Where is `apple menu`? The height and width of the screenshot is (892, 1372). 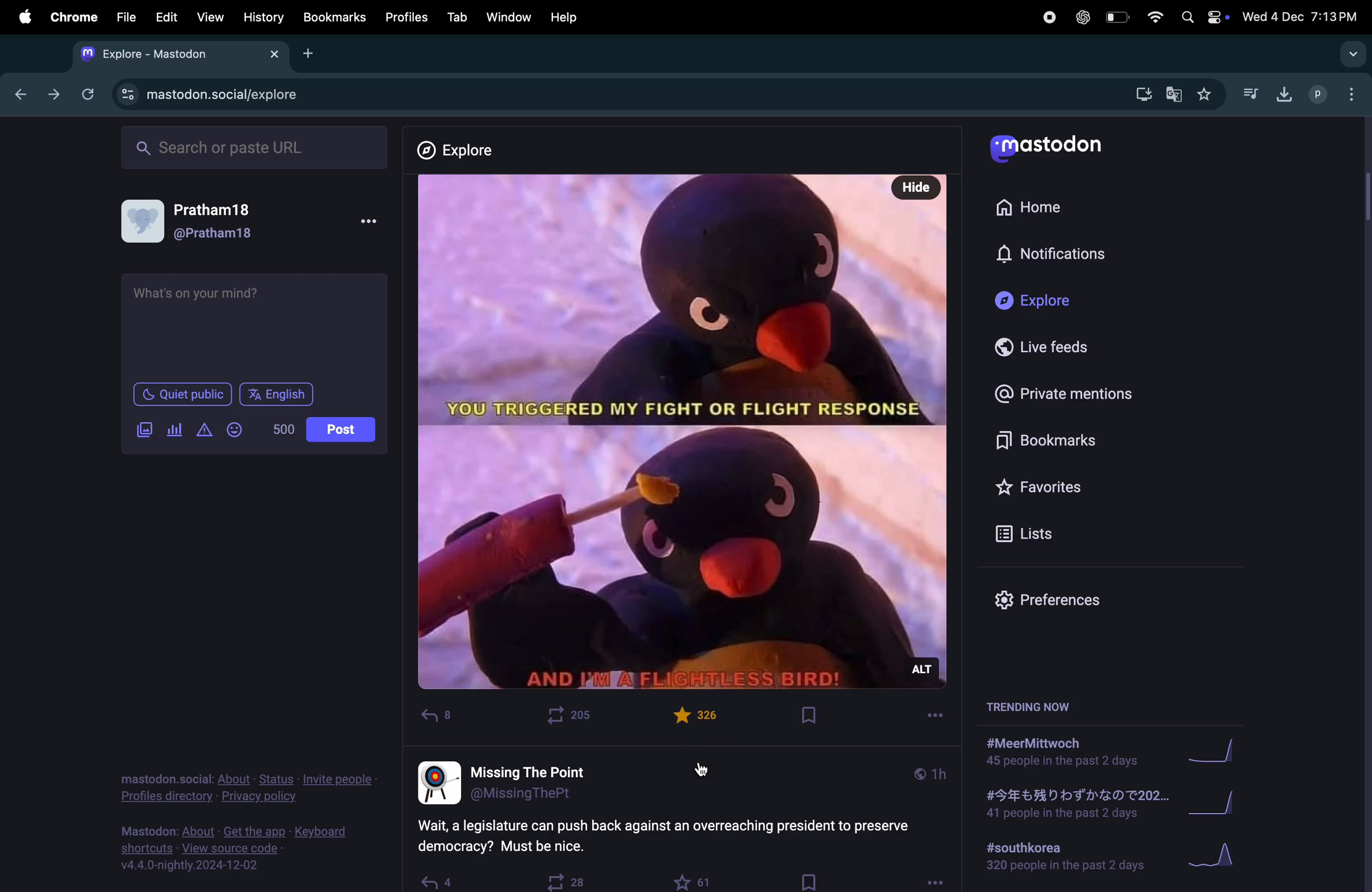
apple menu is located at coordinates (25, 20).